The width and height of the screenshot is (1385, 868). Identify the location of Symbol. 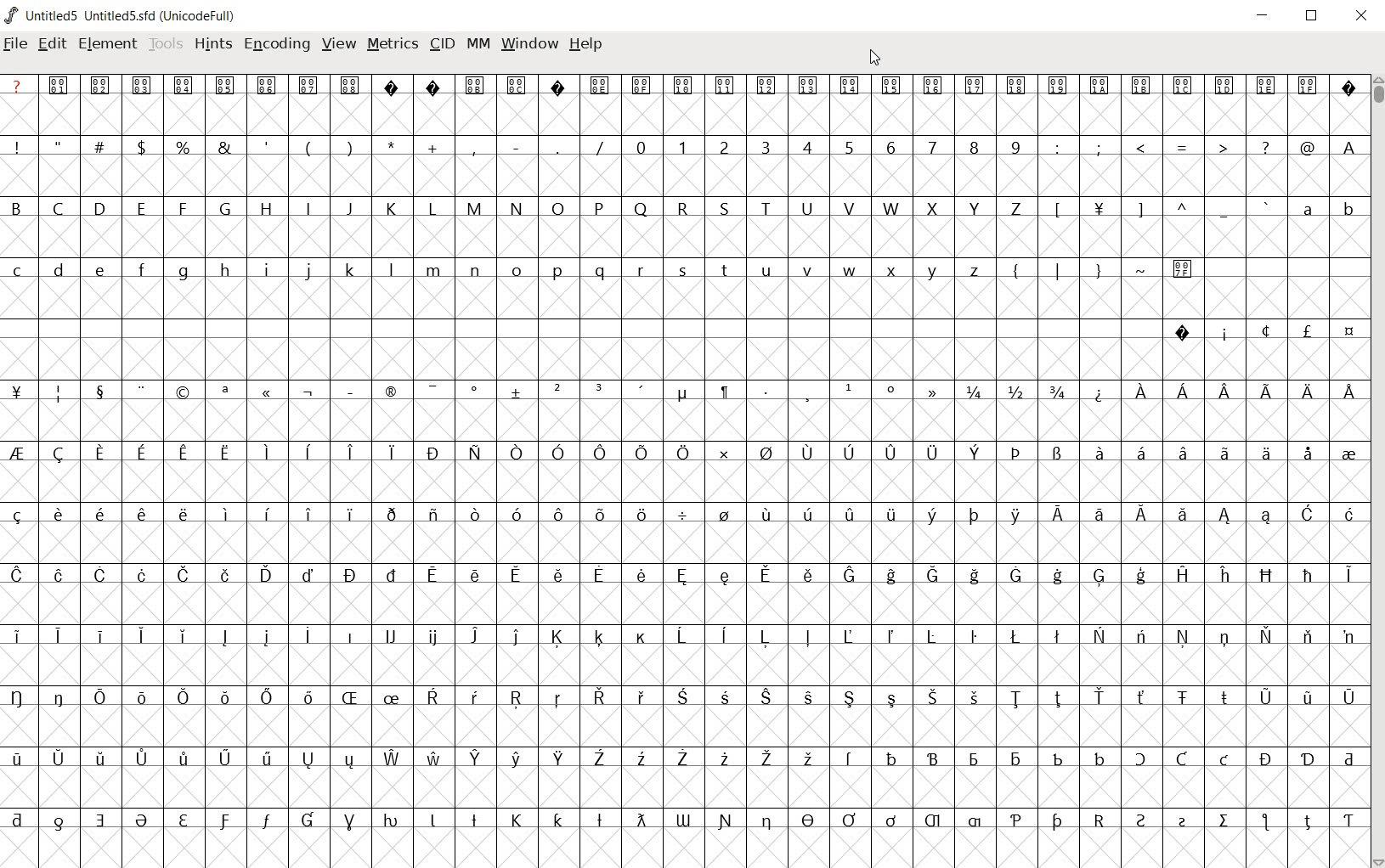
(768, 392).